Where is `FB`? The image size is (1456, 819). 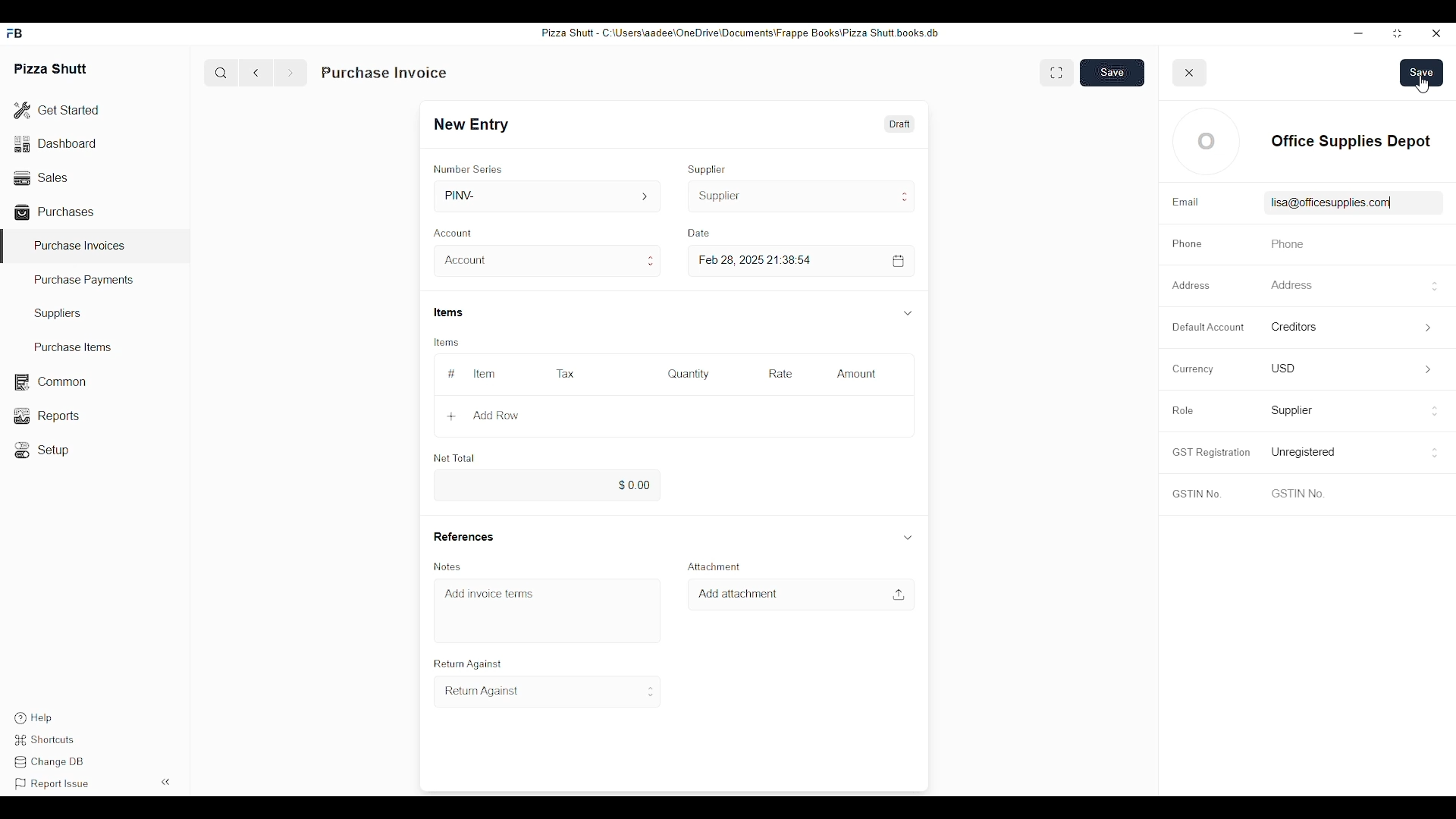
FB is located at coordinates (17, 33).